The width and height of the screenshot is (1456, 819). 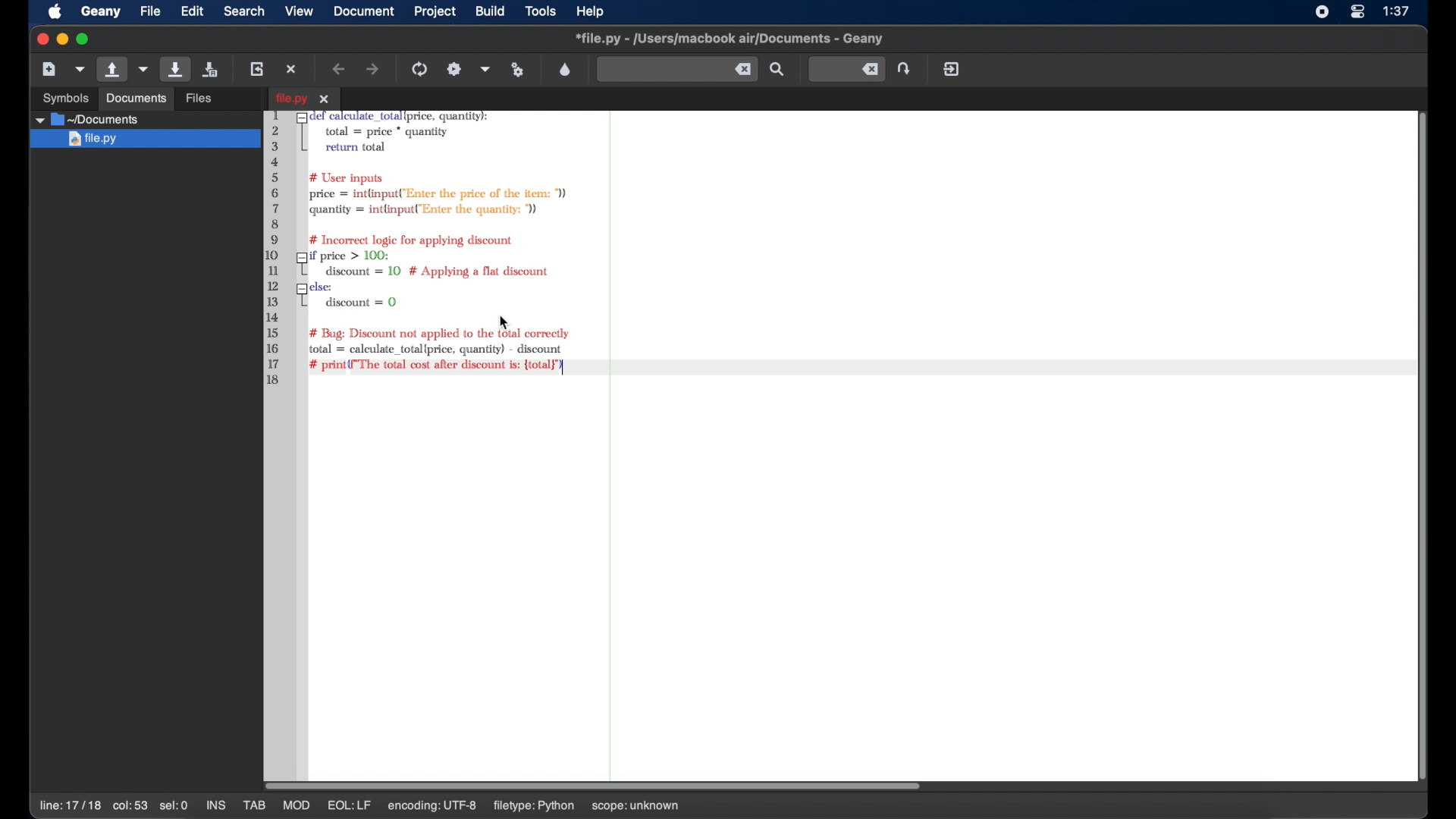 What do you see at coordinates (150, 11) in the screenshot?
I see `file` at bounding box center [150, 11].